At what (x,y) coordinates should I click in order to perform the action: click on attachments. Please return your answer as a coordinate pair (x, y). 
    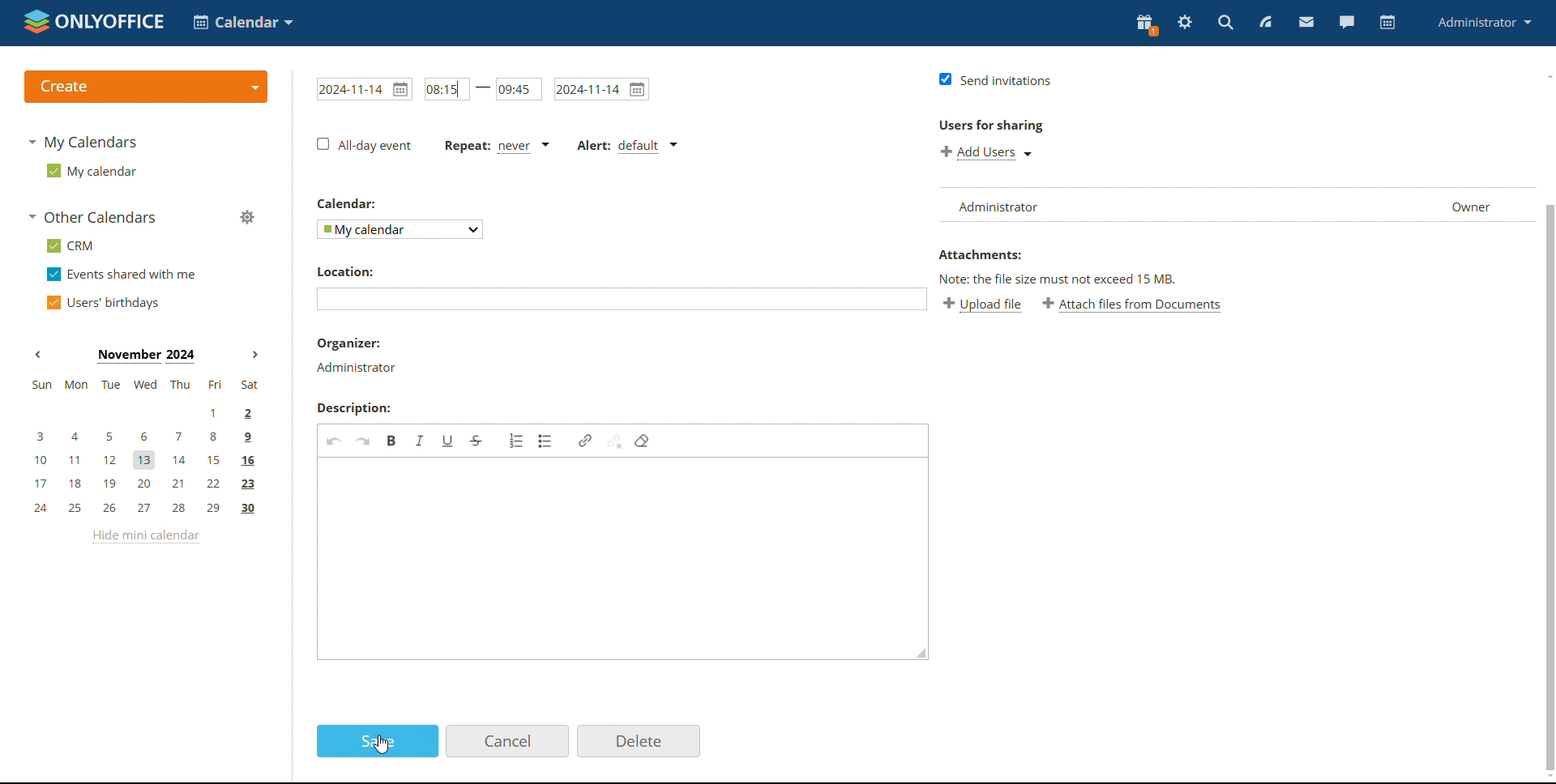
    Looking at the image, I should click on (980, 254).